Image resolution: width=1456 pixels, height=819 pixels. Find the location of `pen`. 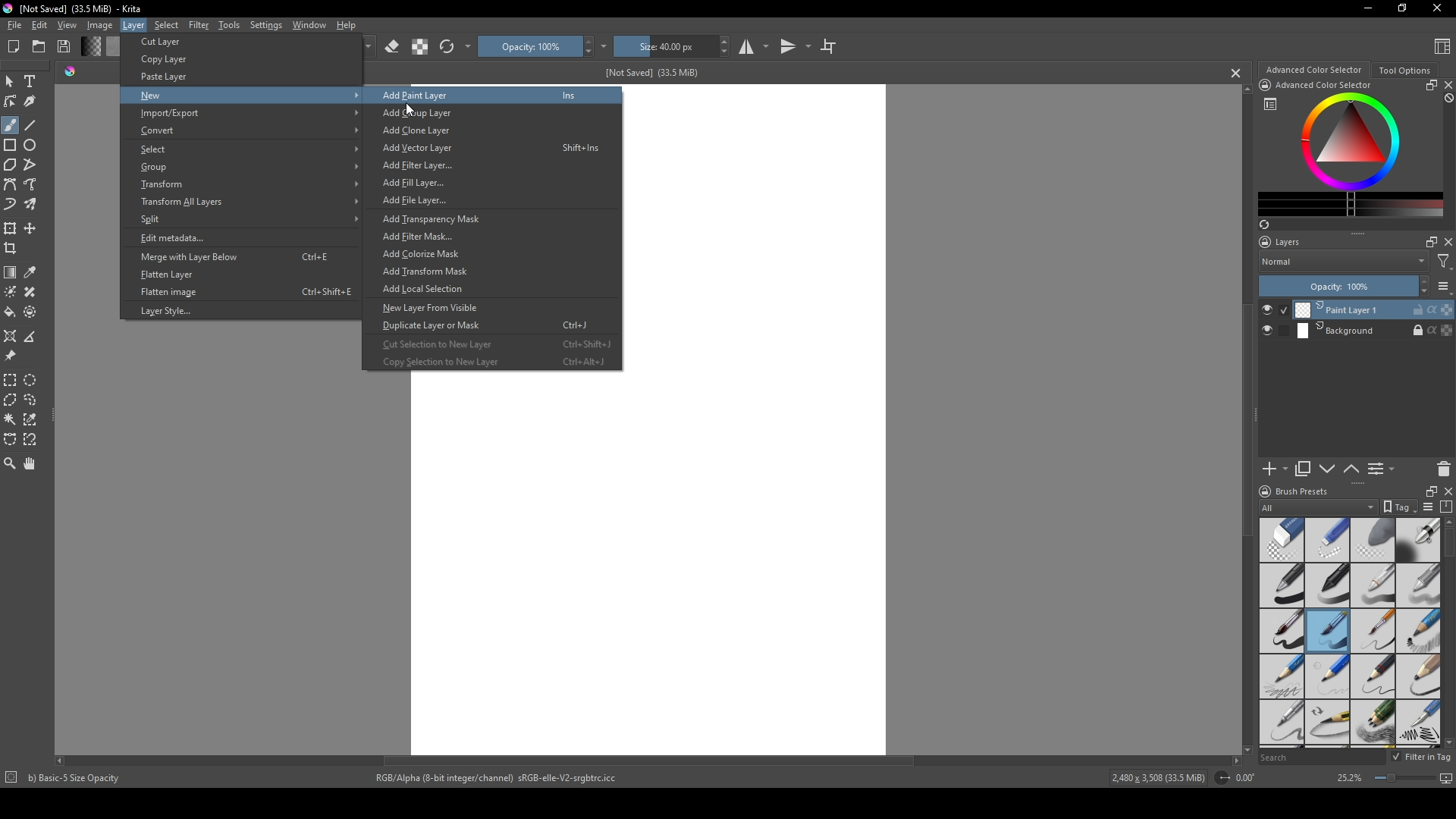

pen is located at coordinates (1281, 586).